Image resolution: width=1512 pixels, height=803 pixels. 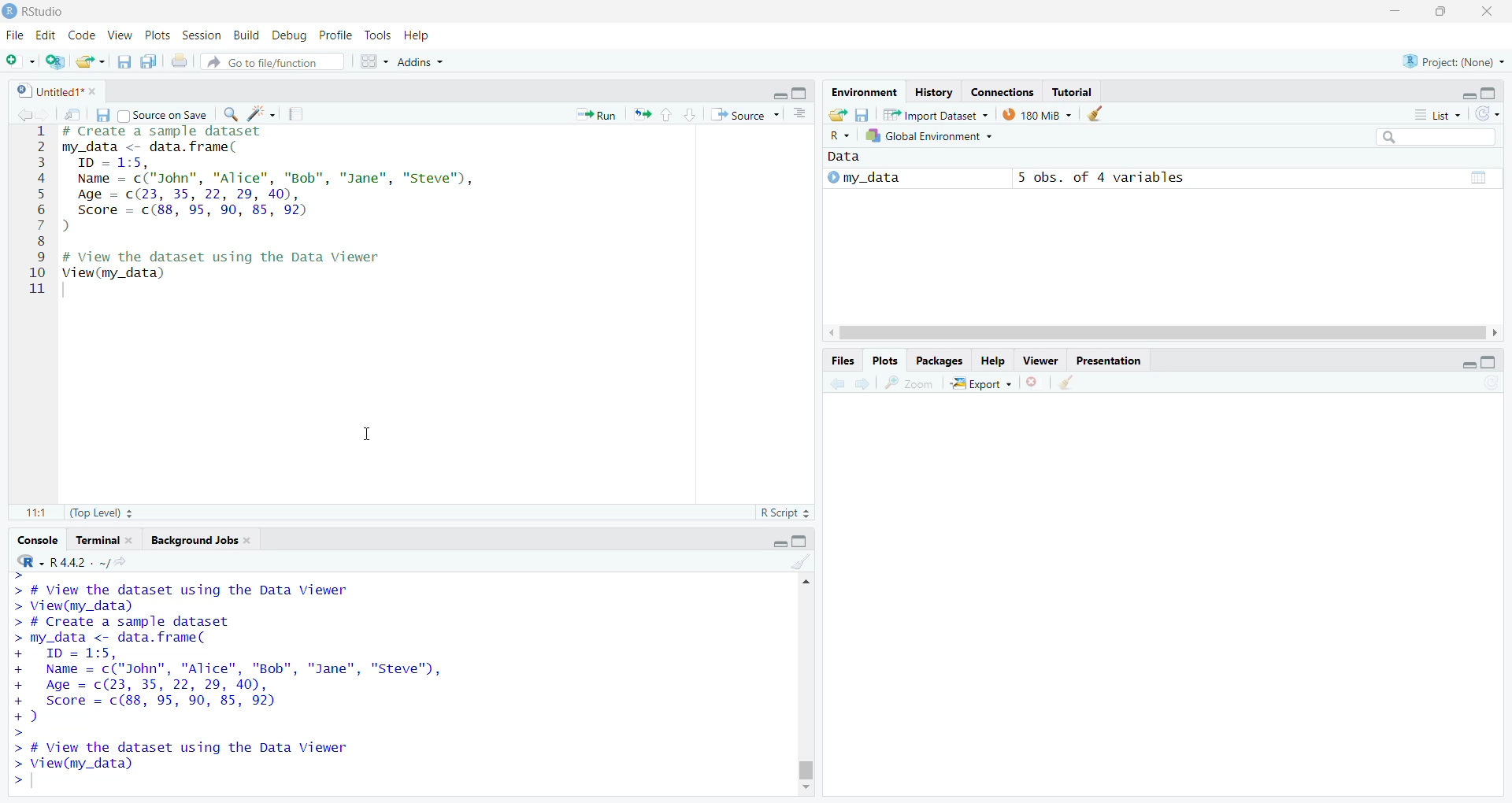 I want to click on Top Level, so click(x=98, y=513).